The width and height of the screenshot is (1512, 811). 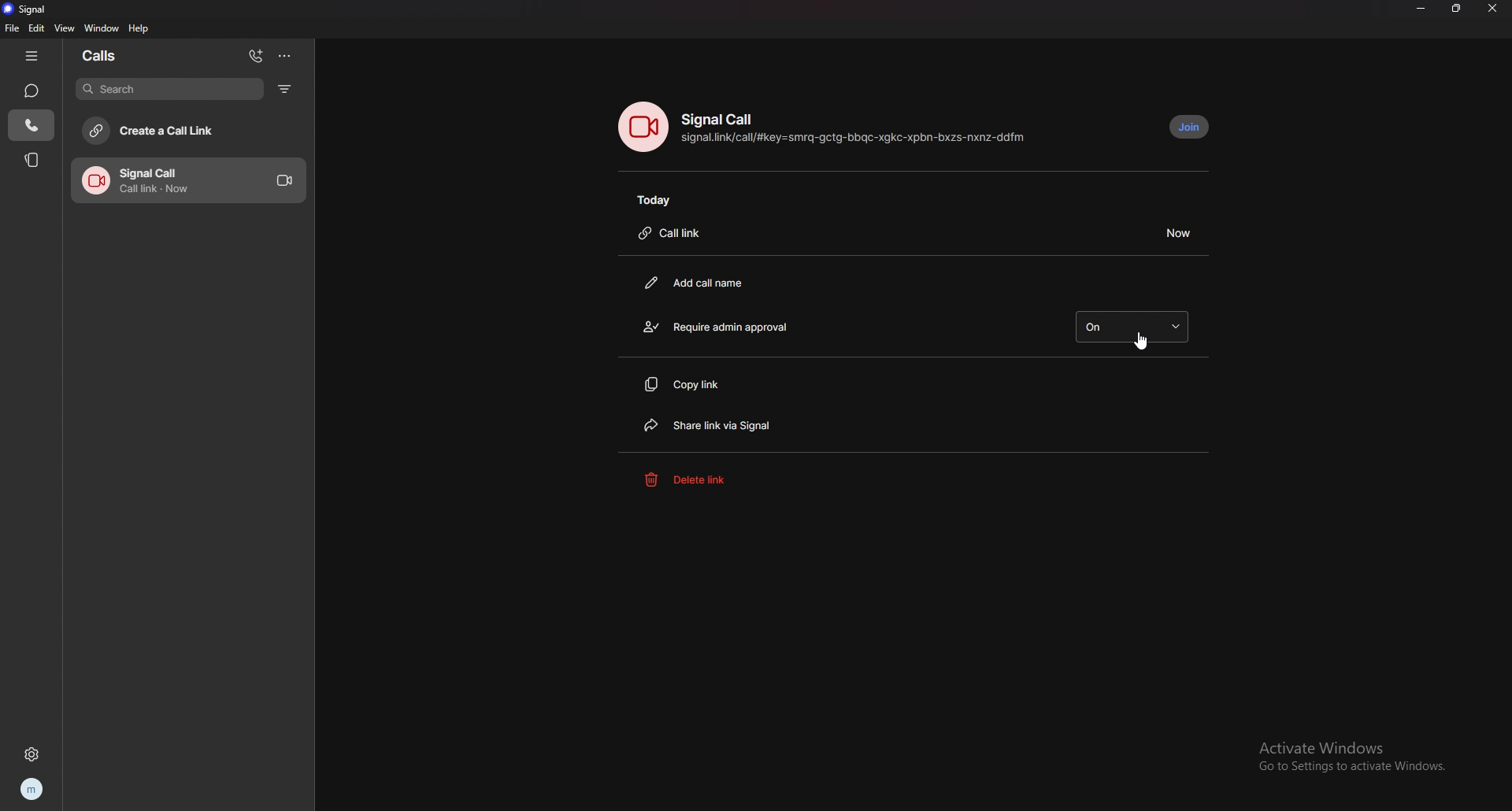 What do you see at coordinates (186, 131) in the screenshot?
I see `create a call link` at bounding box center [186, 131].